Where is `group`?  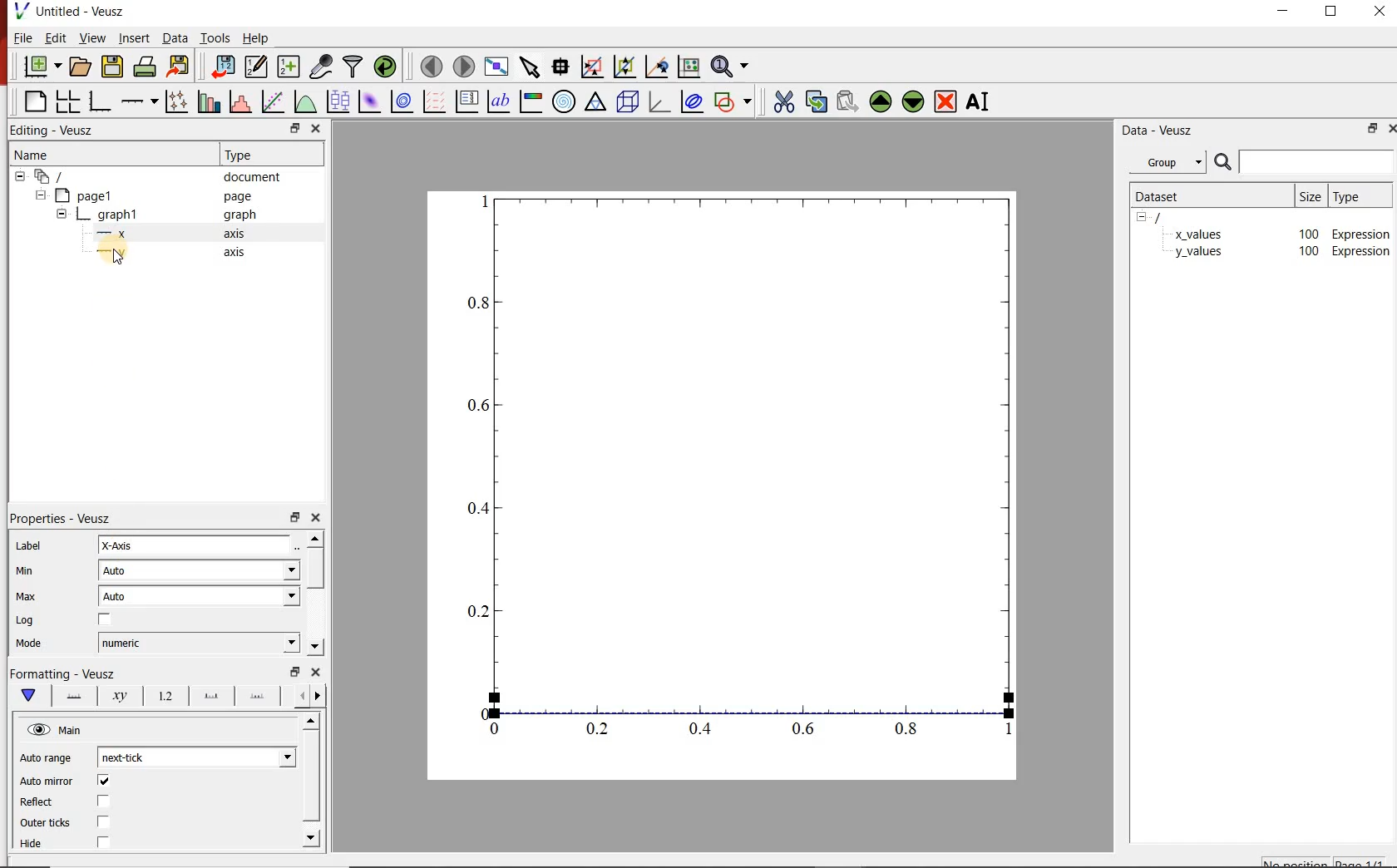
group is located at coordinates (1165, 162).